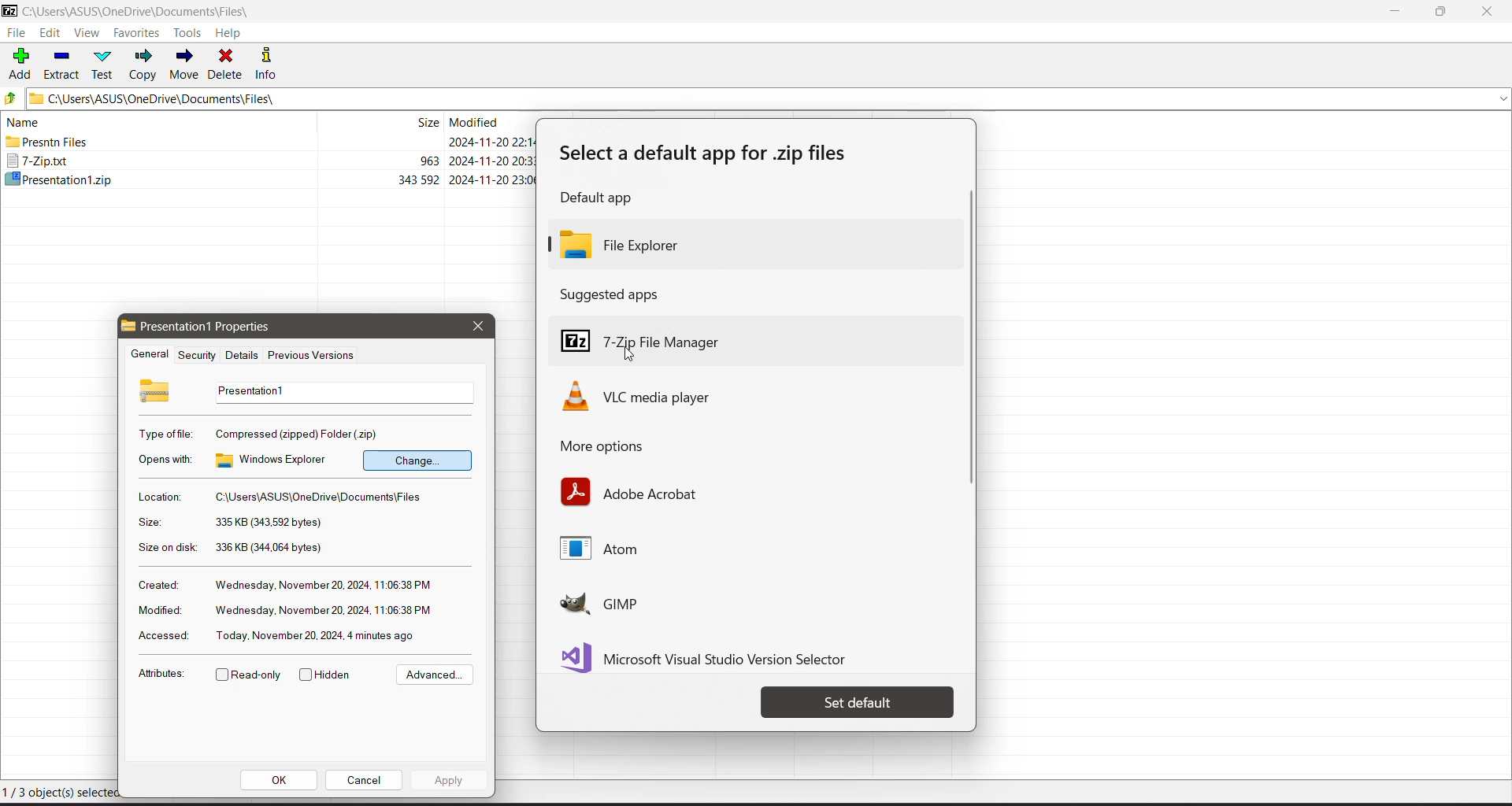  I want to click on Current Folder View, so click(266, 124).